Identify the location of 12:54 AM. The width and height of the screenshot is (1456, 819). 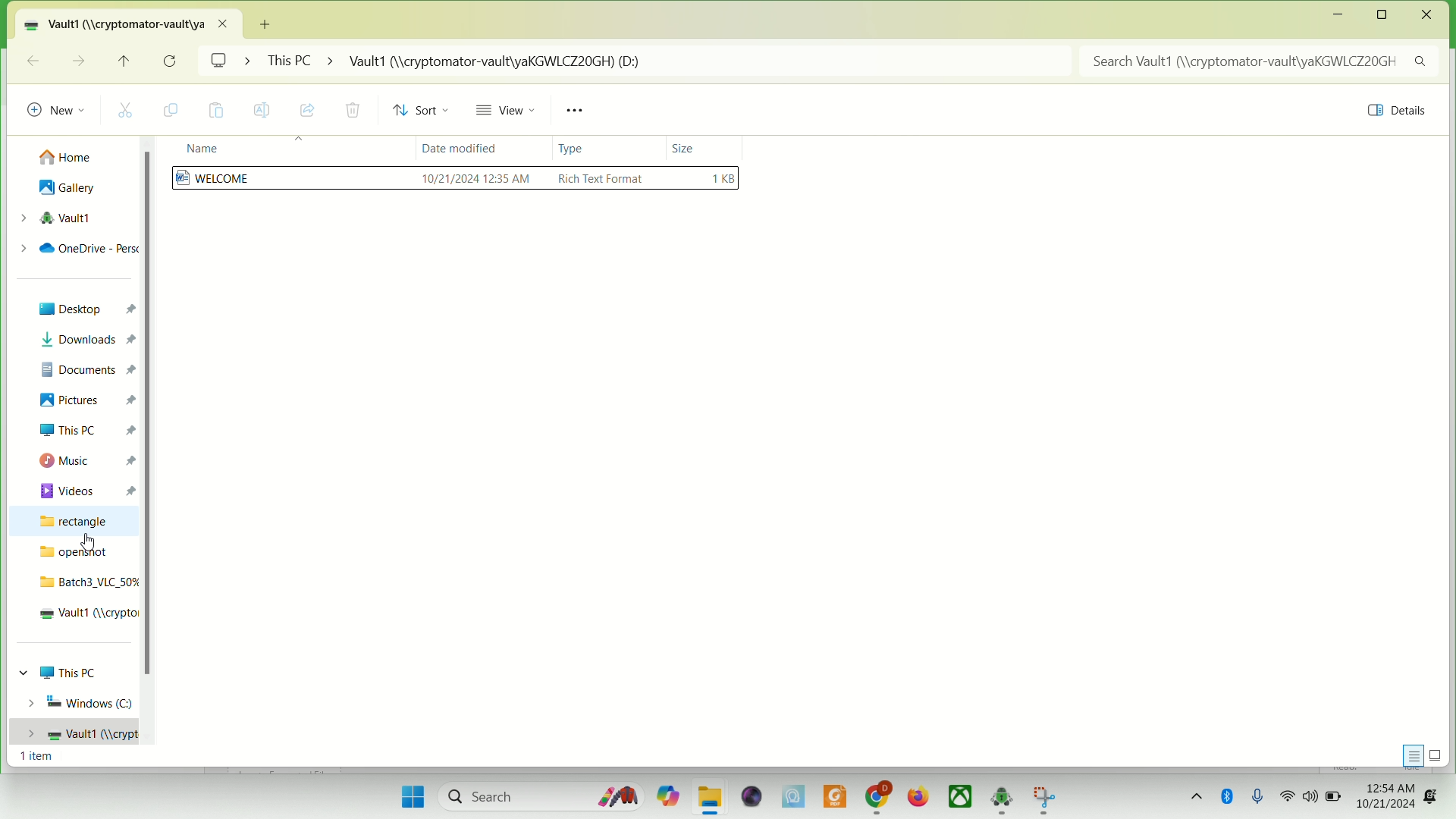
(1389, 786).